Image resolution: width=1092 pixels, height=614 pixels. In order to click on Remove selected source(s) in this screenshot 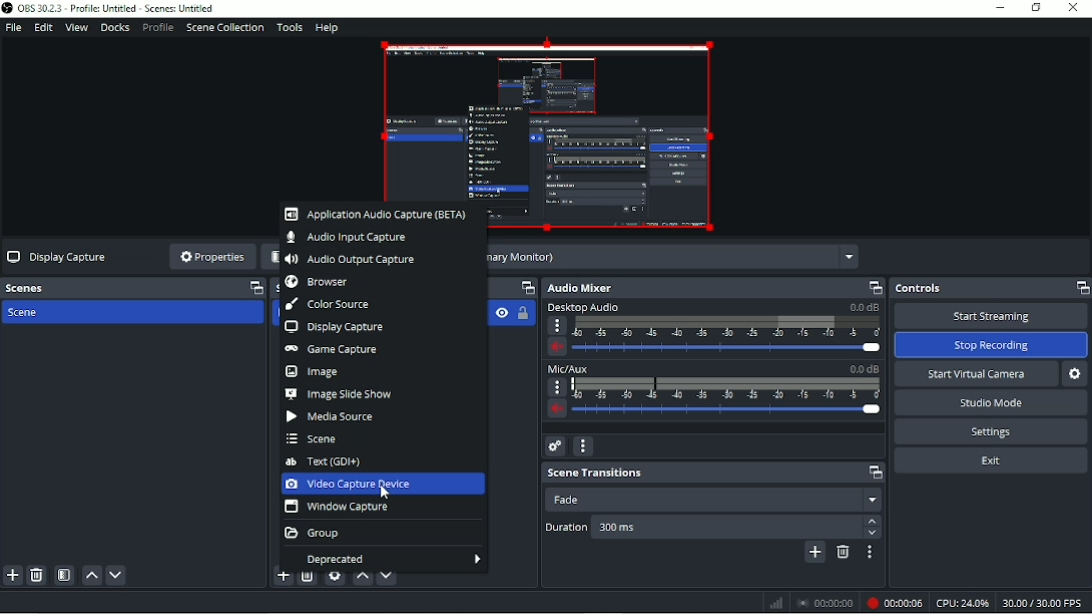, I will do `click(308, 580)`.